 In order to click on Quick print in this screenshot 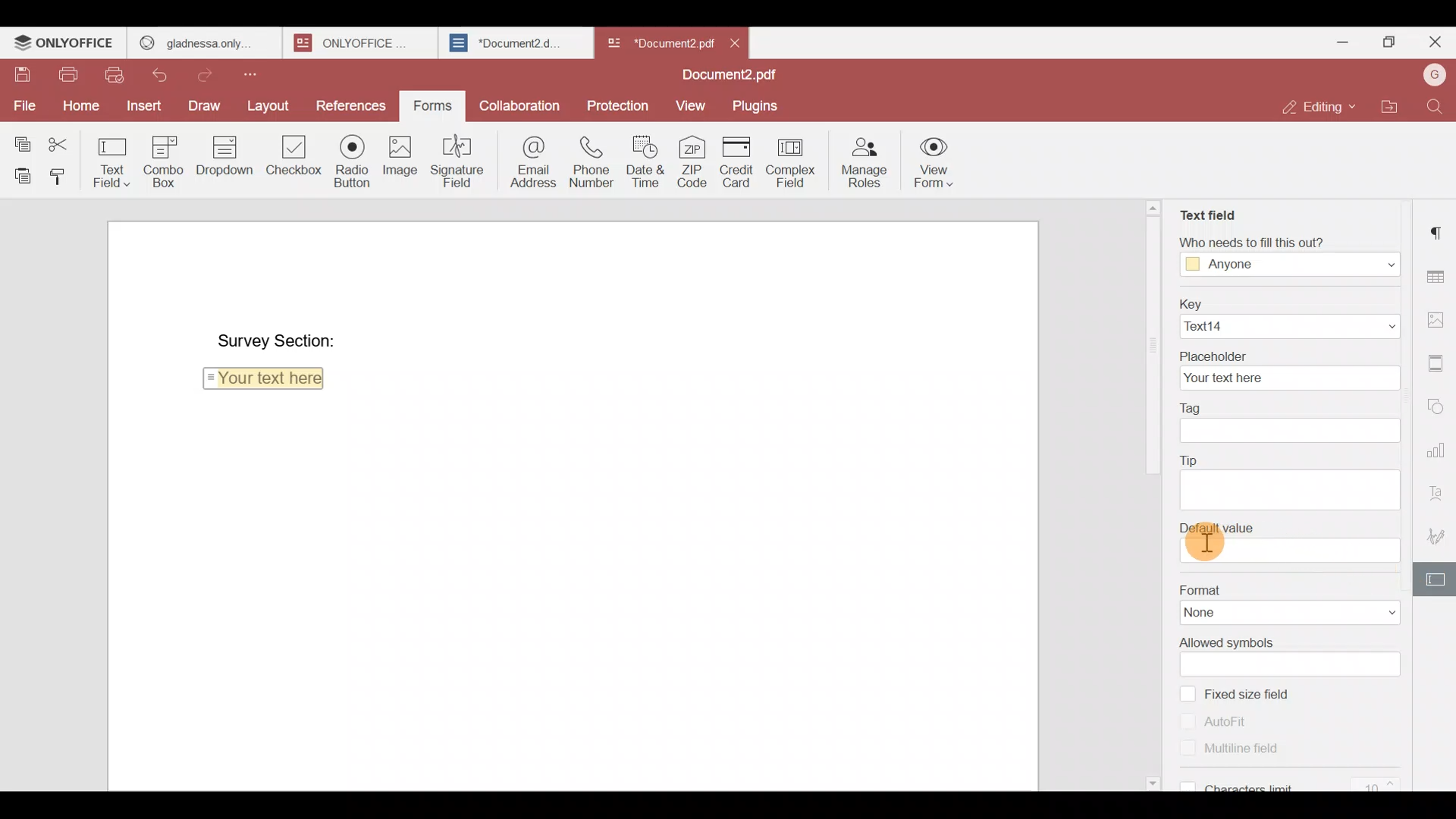, I will do `click(120, 75)`.